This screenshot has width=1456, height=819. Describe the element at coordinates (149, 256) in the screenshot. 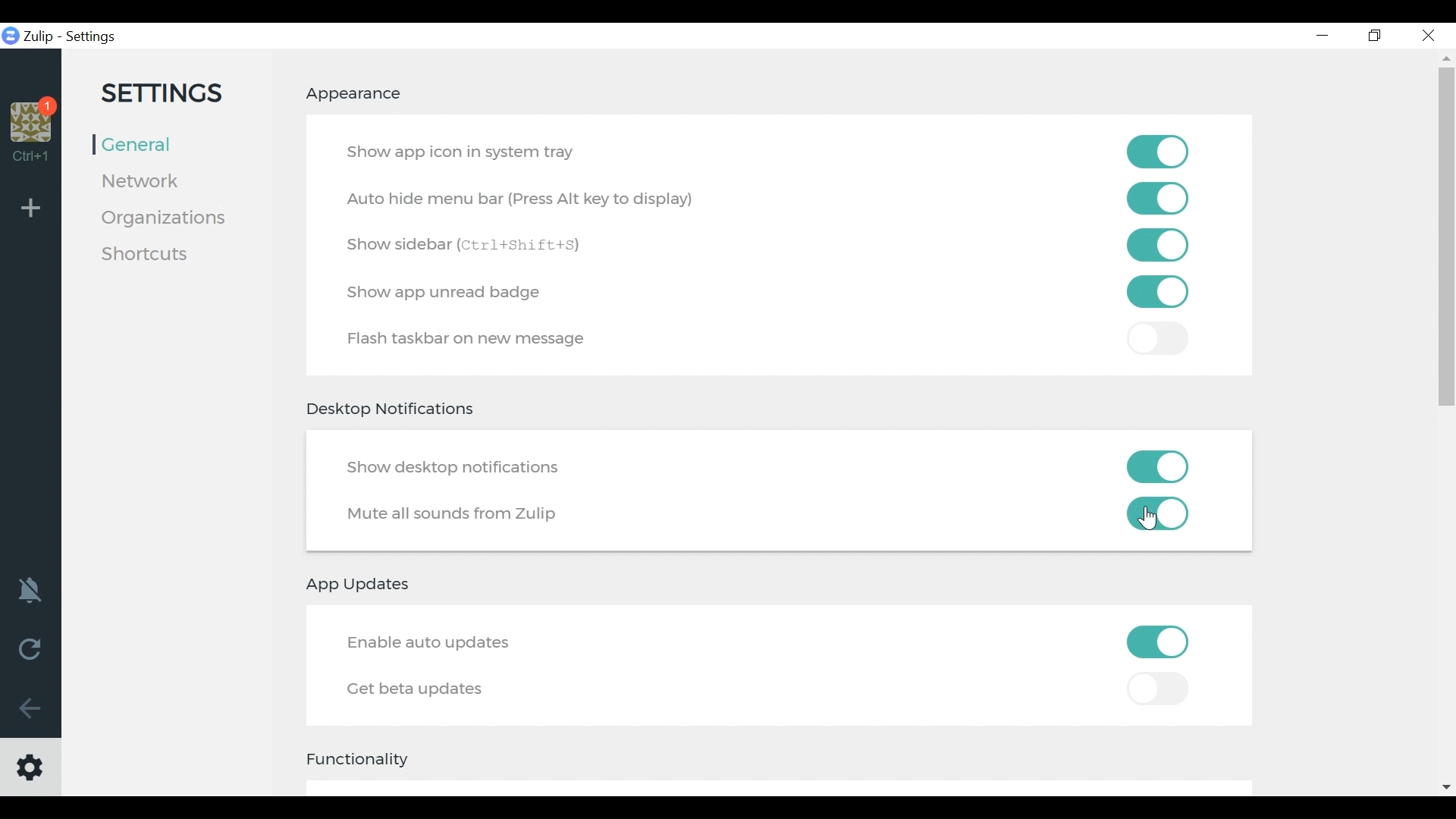

I see `Shortcuts` at that location.